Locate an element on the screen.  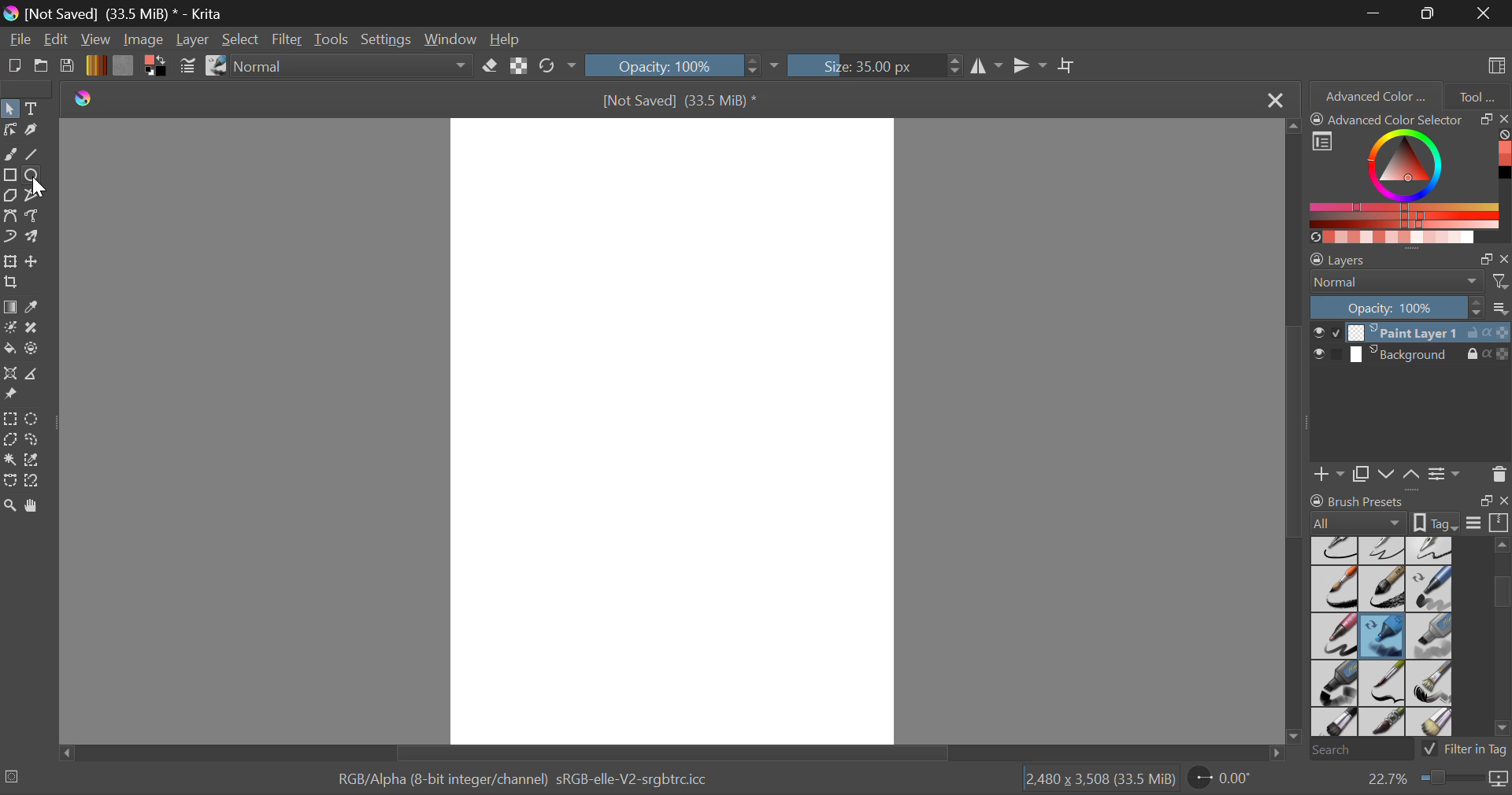
Colors in Use is located at coordinates (154, 66).